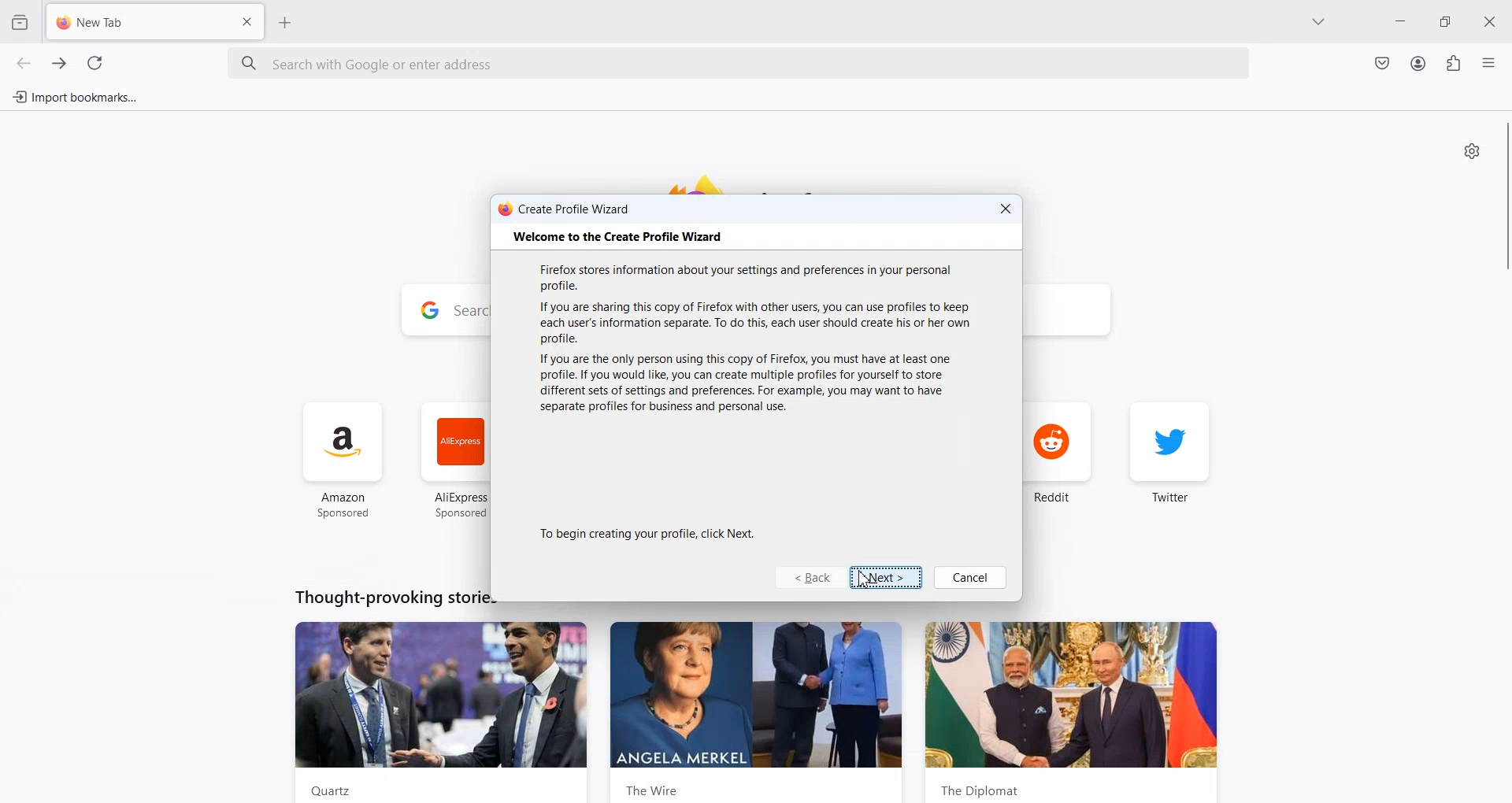 The image size is (1512, 803). I want to click on create profile wizard, so click(561, 210).